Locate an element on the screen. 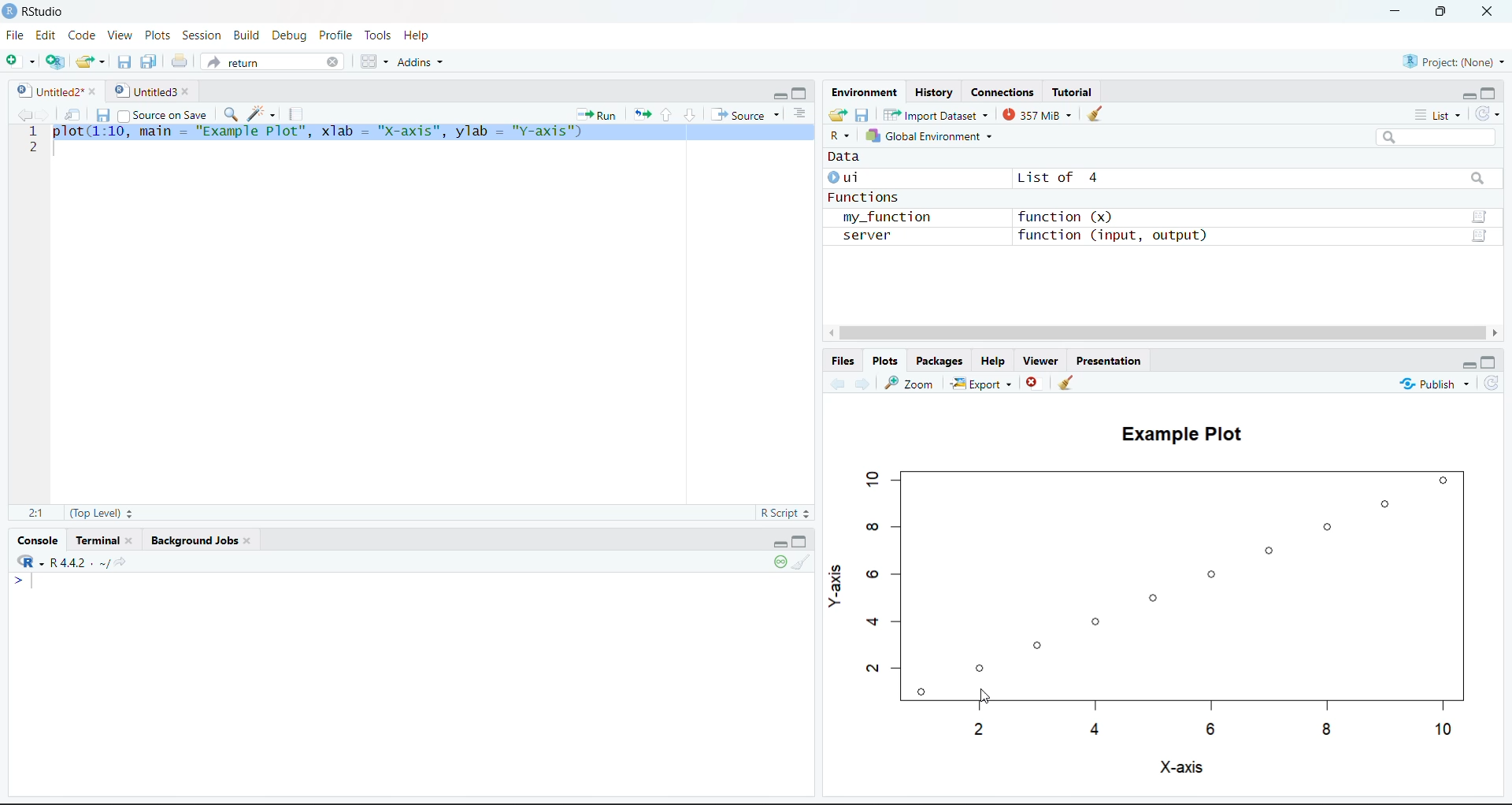 The image size is (1512, 805). 357kib used by R session (Source: Windows System) is located at coordinates (1038, 114).